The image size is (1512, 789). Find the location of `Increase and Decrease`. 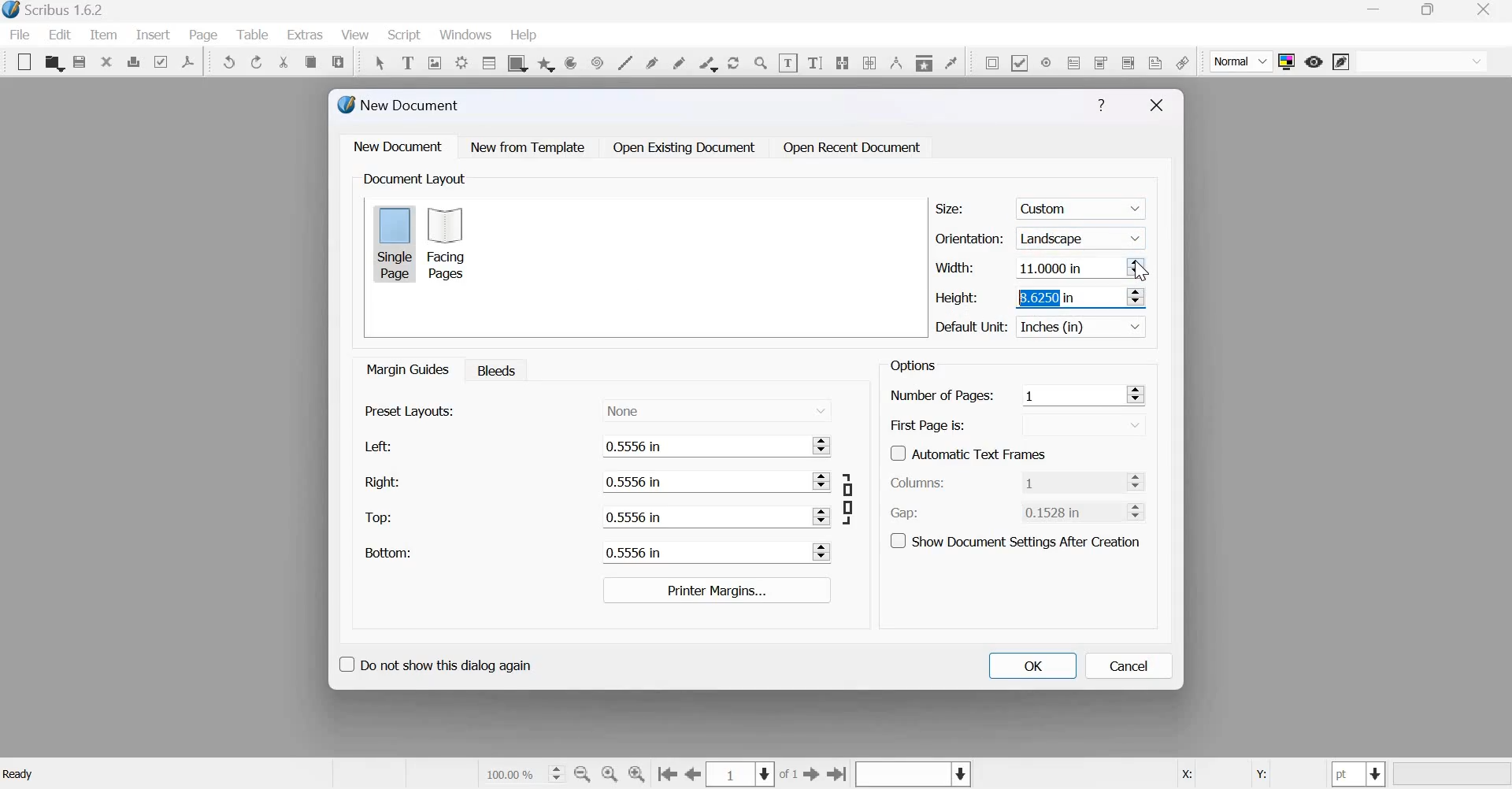

Increase and Decrease is located at coordinates (823, 481).